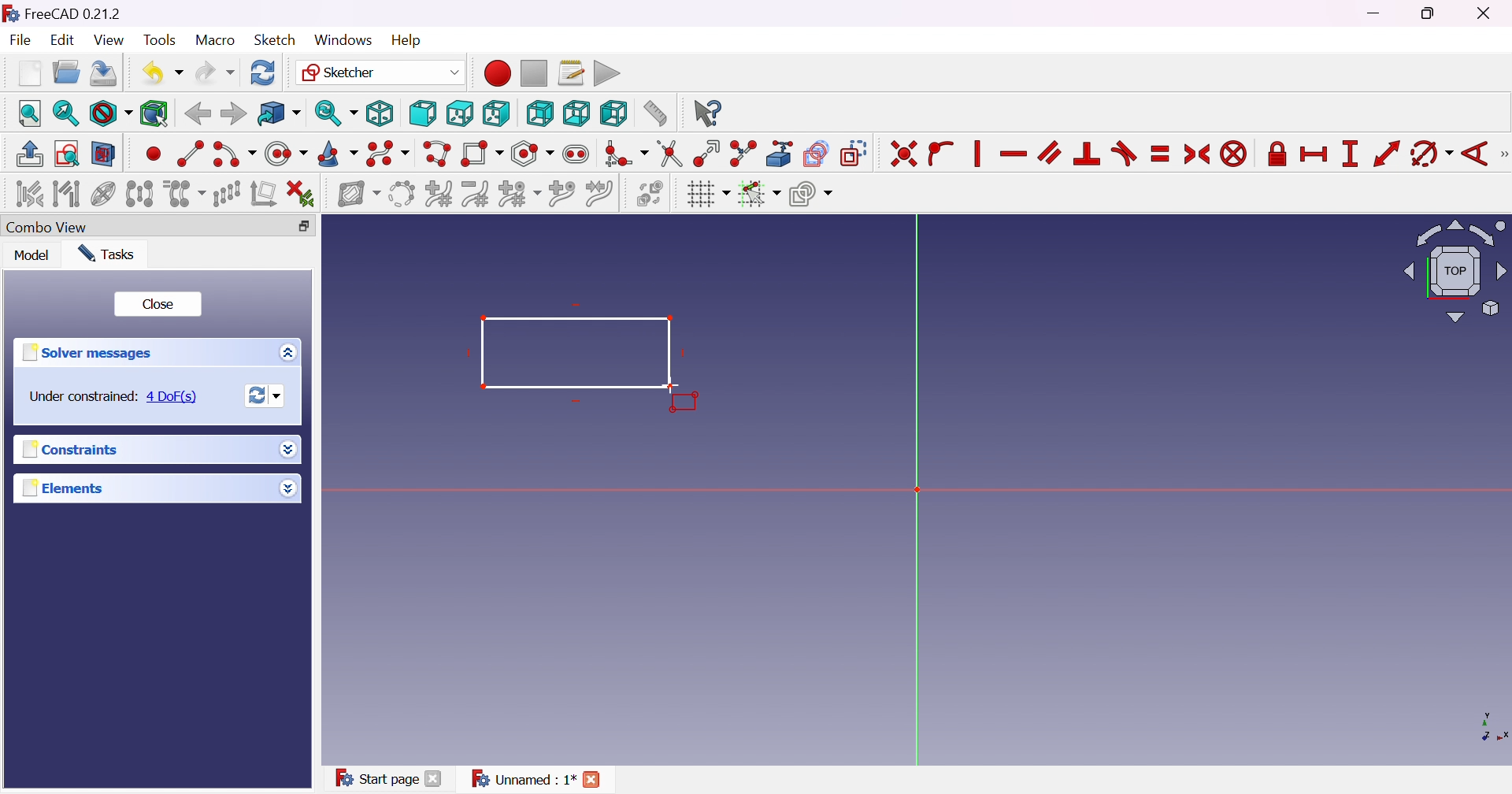 The width and height of the screenshot is (1512, 794). What do you see at coordinates (105, 194) in the screenshot?
I see `Show/hide internal geometry` at bounding box center [105, 194].